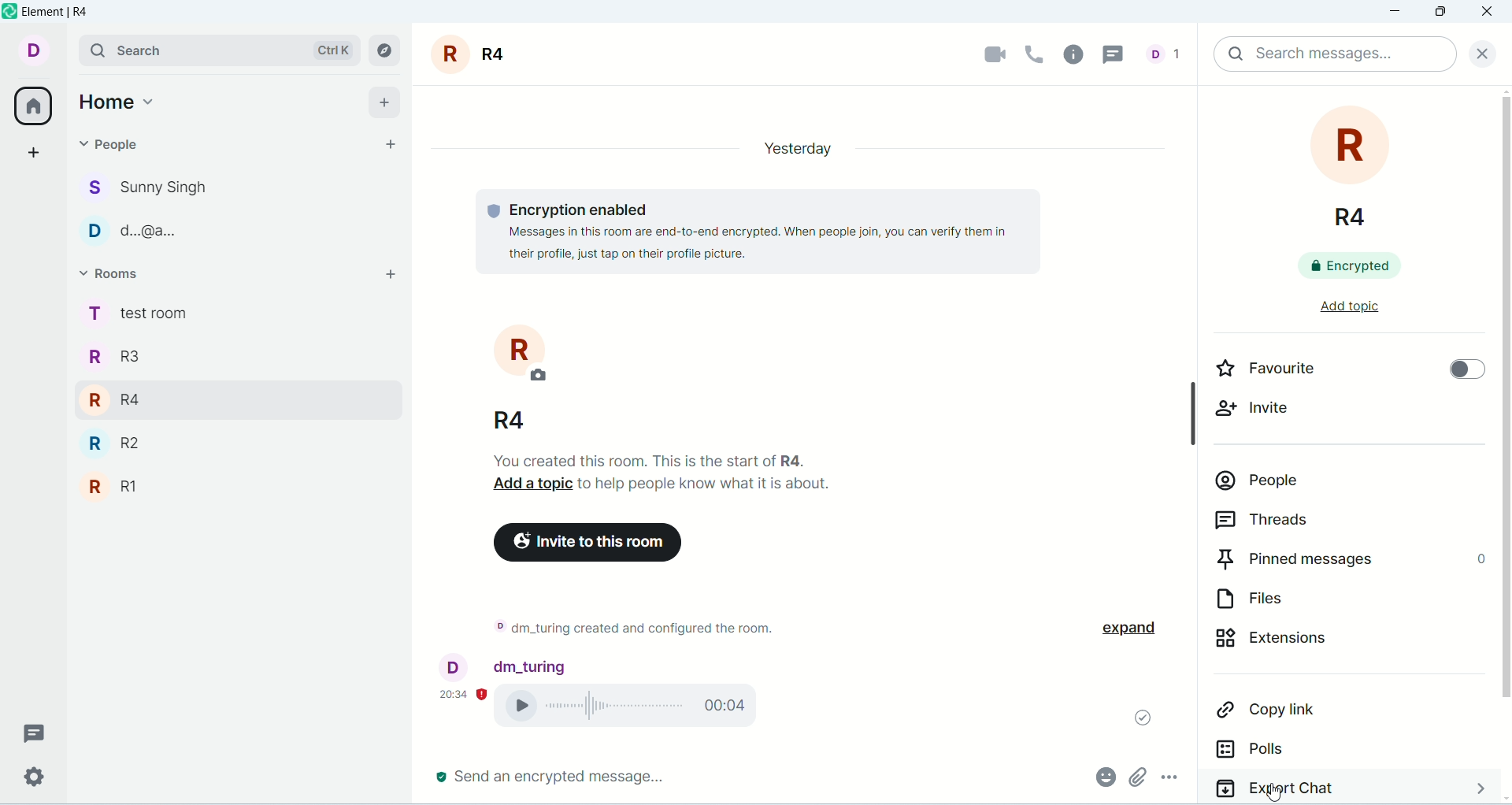 Image resolution: width=1512 pixels, height=805 pixels. I want to click on add, so click(387, 100).